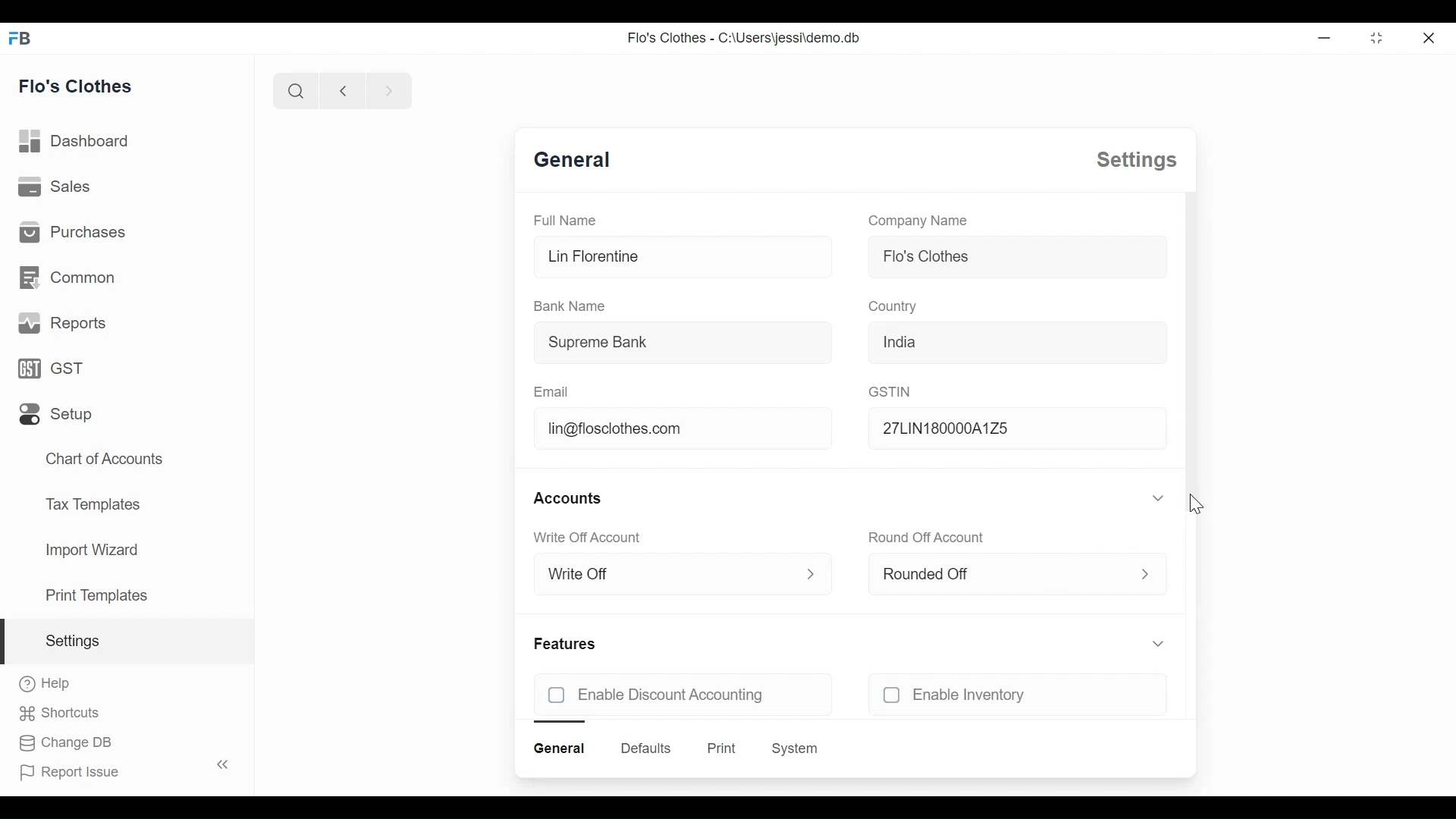 The height and width of the screenshot is (819, 1456). What do you see at coordinates (665, 575) in the screenshot?
I see `Write Off` at bounding box center [665, 575].